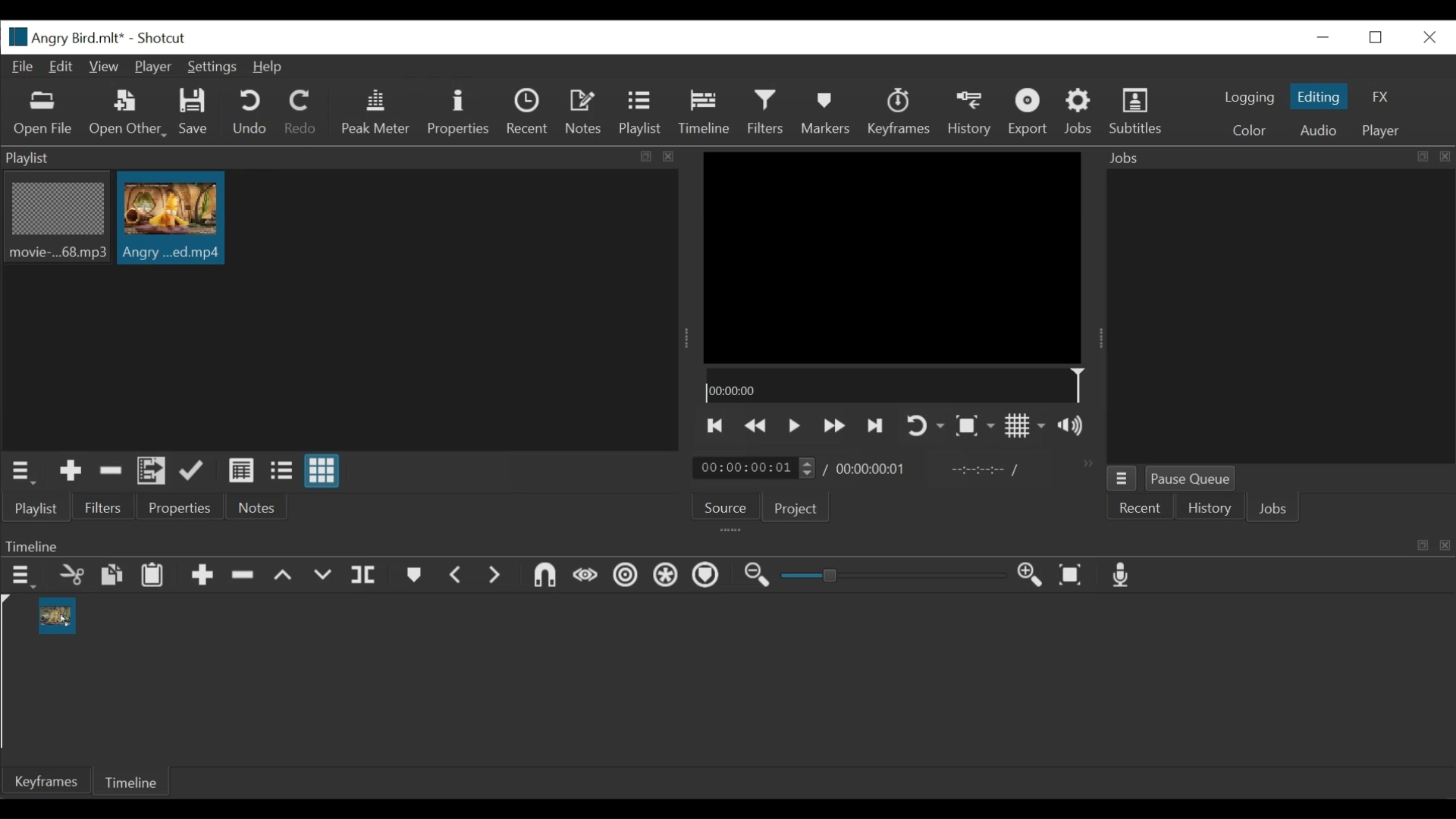  What do you see at coordinates (458, 576) in the screenshot?
I see `Previous marker` at bounding box center [458, 576].